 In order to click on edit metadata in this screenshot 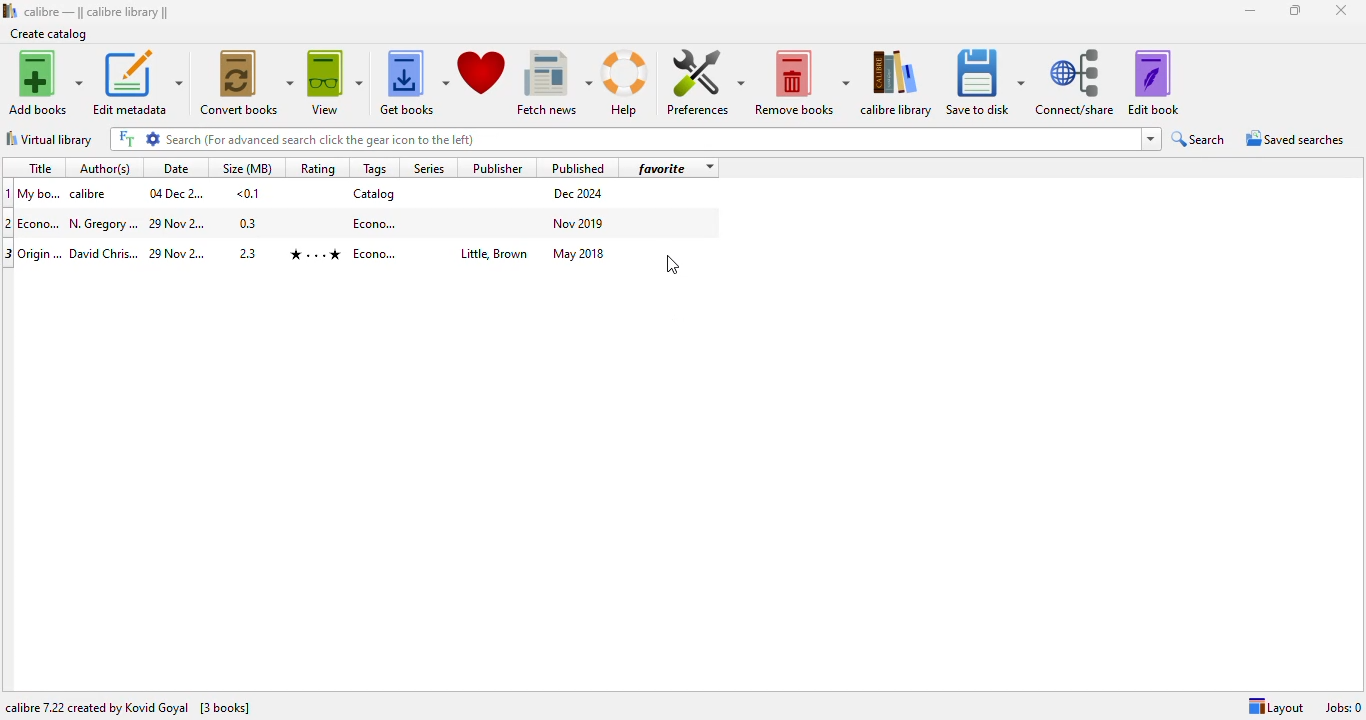, I will do `click(137, 82)`.